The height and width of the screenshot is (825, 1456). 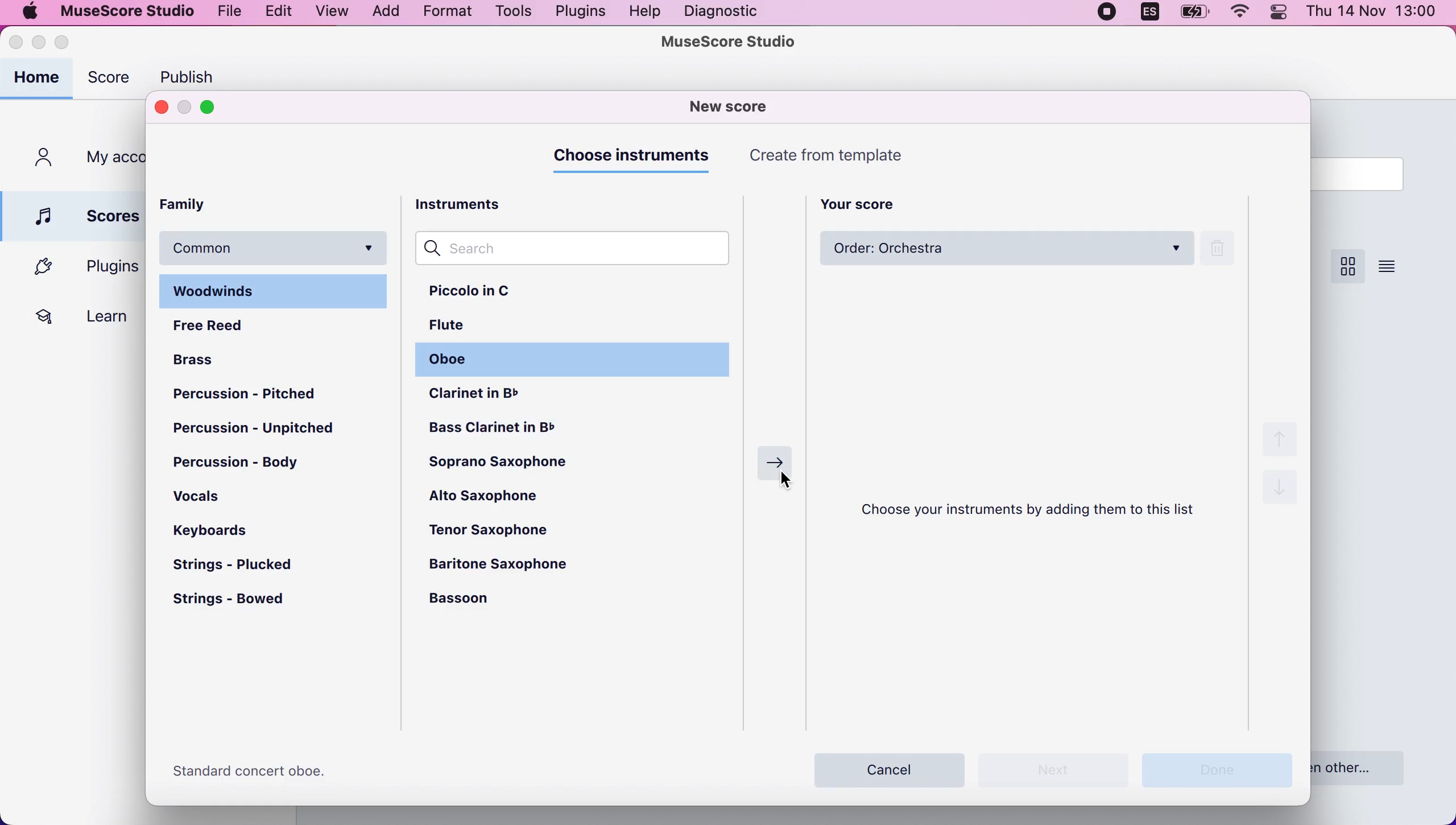 I want to click on language, so click(x=1147, y=15).